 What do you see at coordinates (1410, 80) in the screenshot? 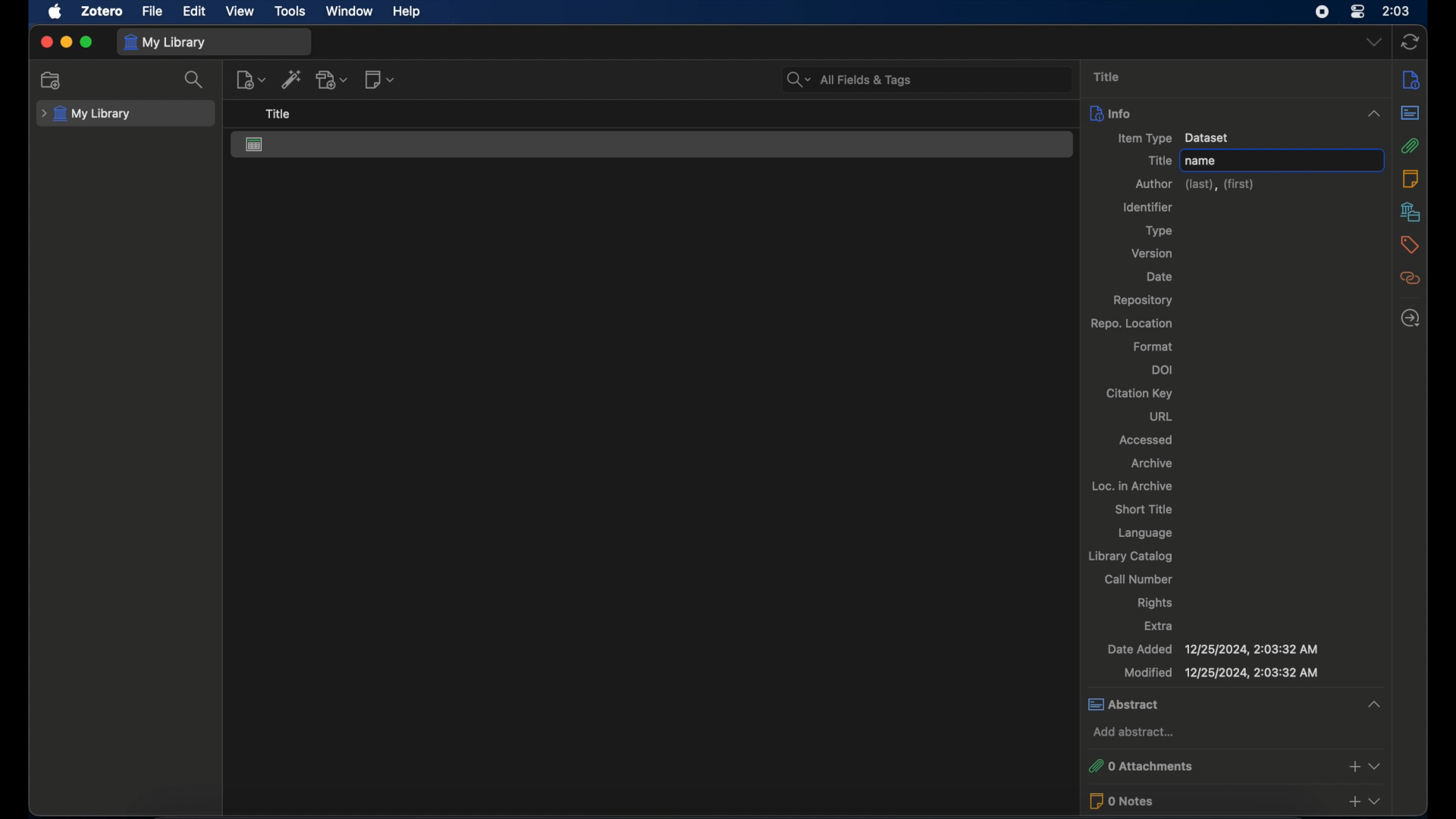
I see `info` at bounding box center [1410, 80].